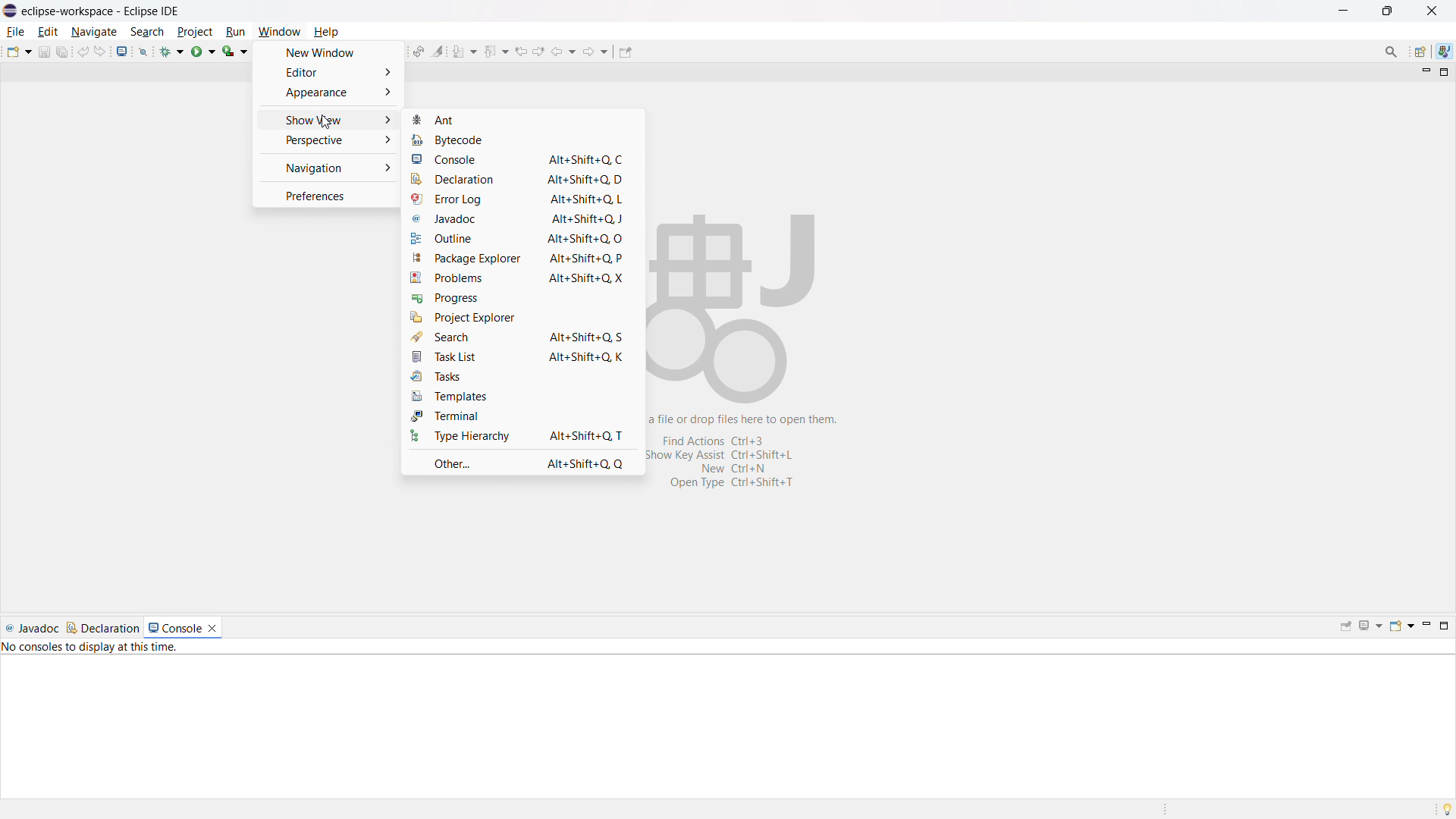 The height and width of the screenshot is (819, 1456). Describe the element at coordinates (326, 32) in the screenshot. I see `help` at that location.